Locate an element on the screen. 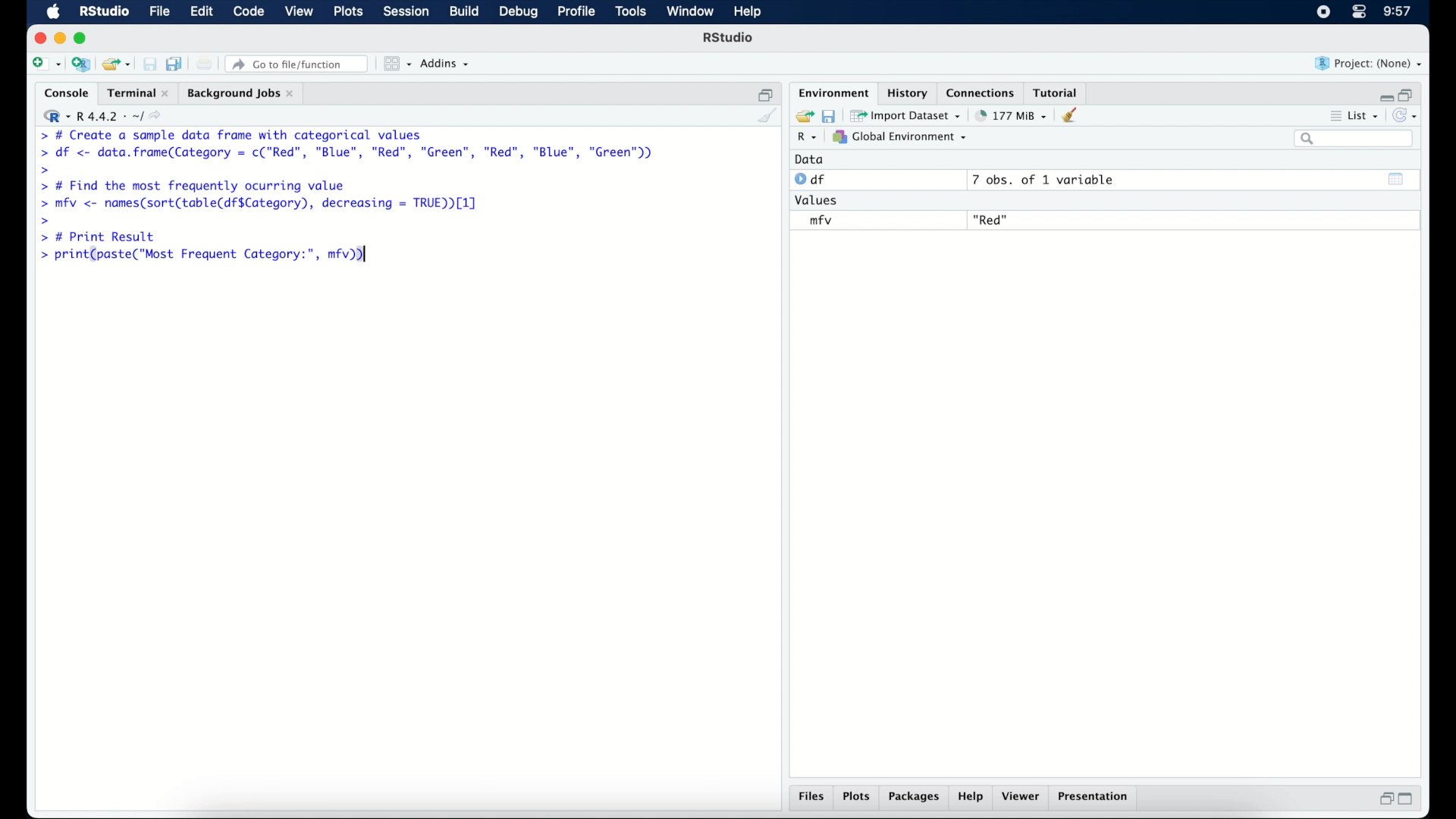 The width and height of the screenshot is (1456, 819). print is located at coordinates (205, 64).